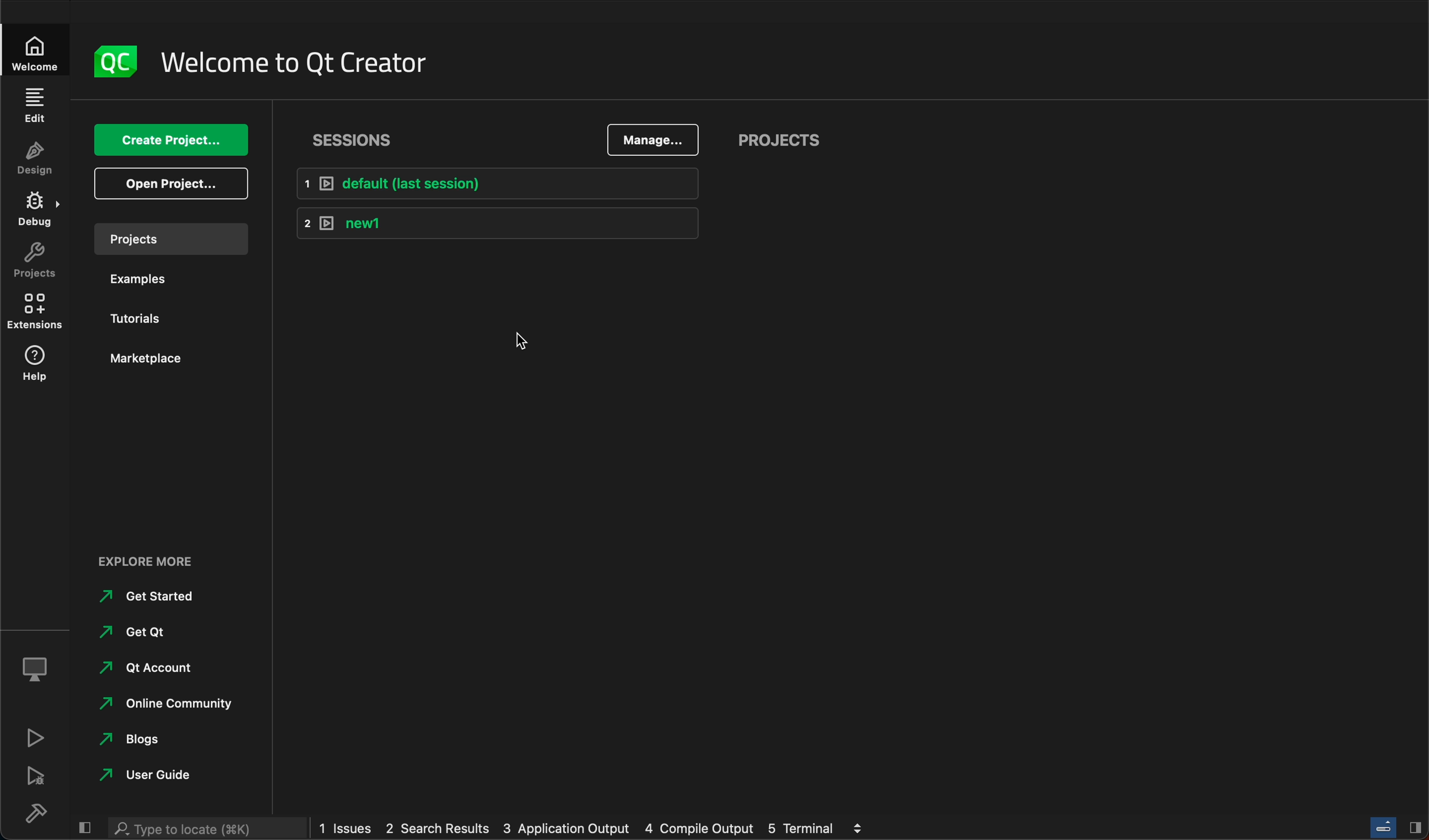  Describe the element at coordinates (143, 629) in the screenshot. I see `get qt` at that location.